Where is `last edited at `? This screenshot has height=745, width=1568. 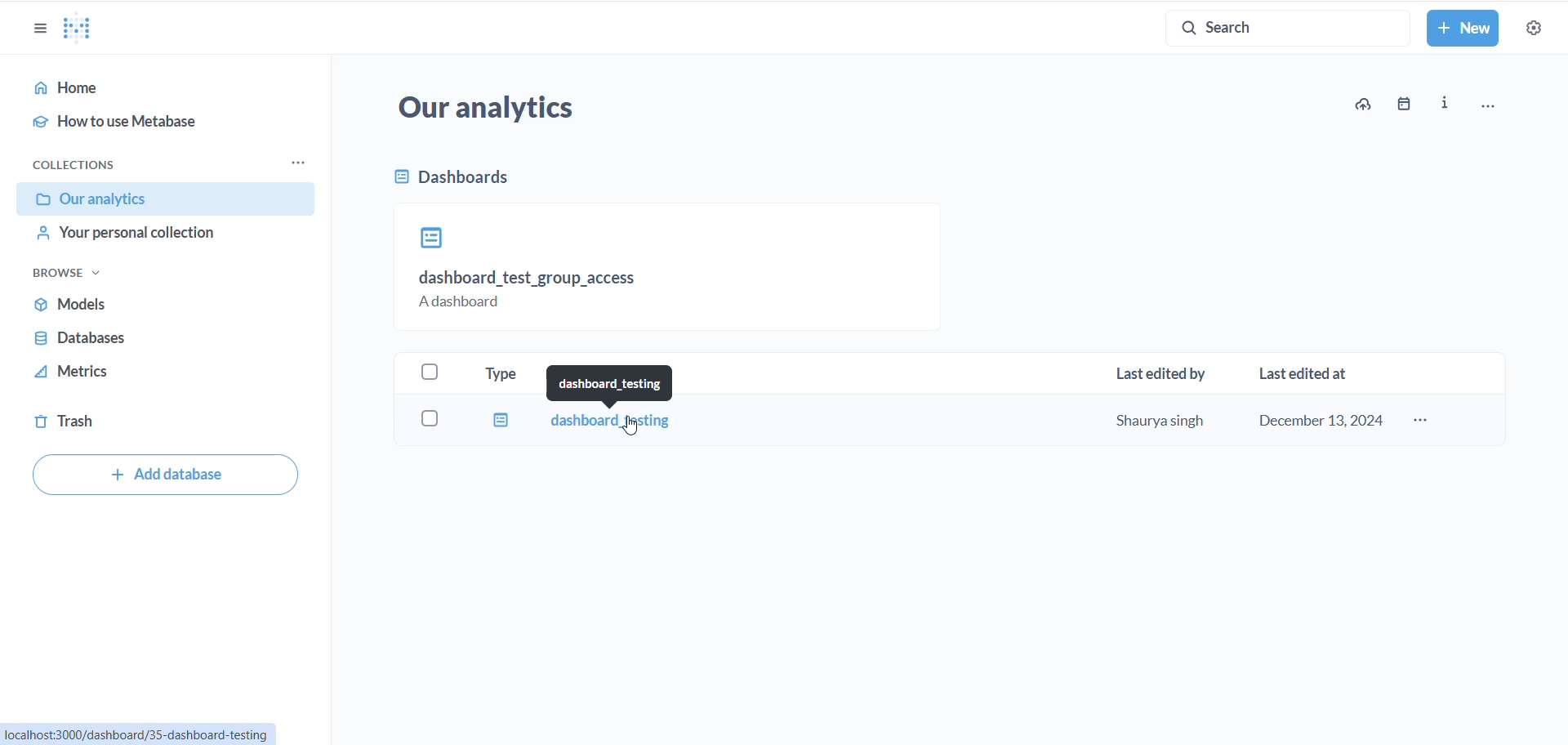
last edited at  is located at coordinates (1309, 373).